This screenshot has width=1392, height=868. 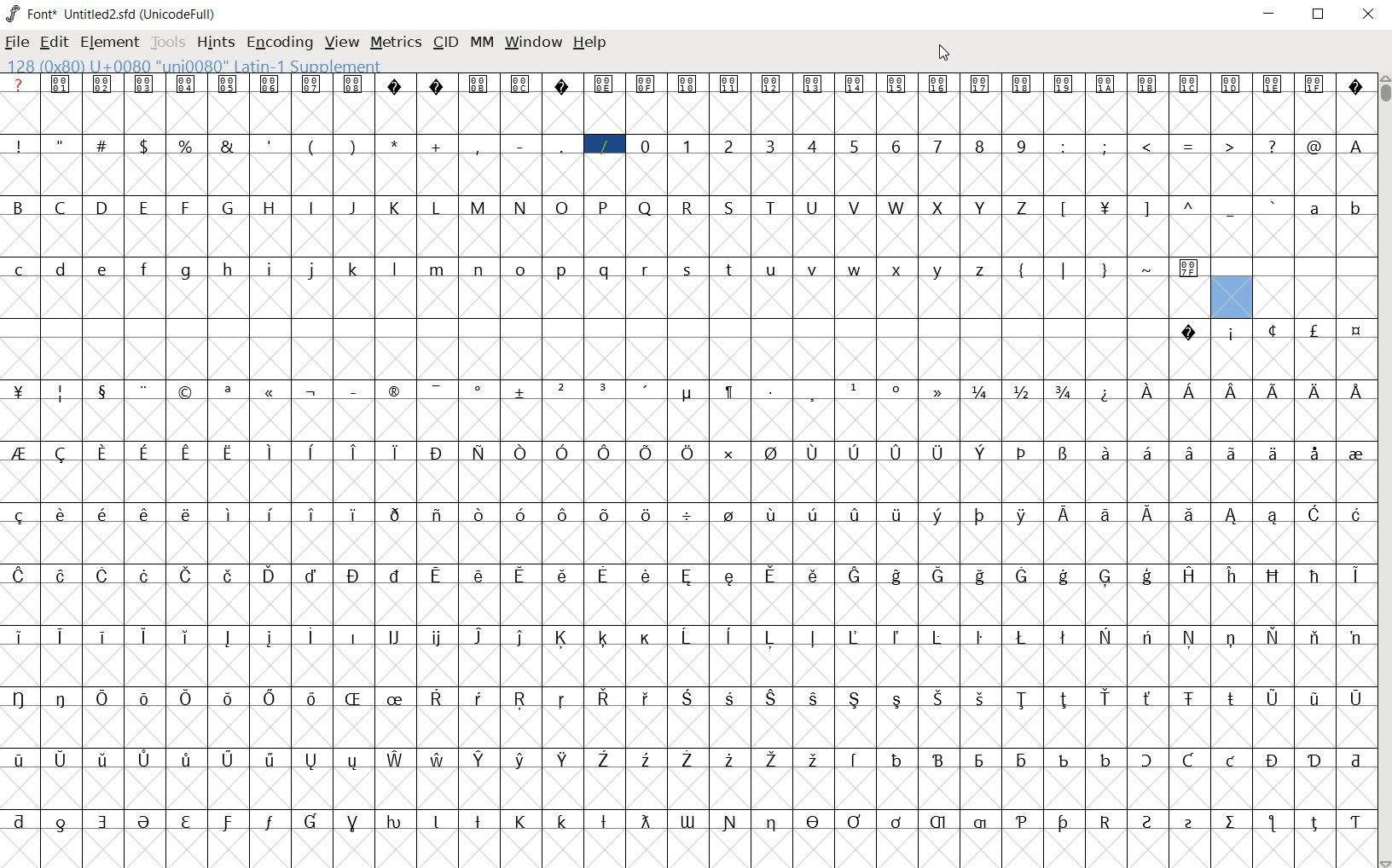 I want to click on glyph, so click(x=395, y=208).